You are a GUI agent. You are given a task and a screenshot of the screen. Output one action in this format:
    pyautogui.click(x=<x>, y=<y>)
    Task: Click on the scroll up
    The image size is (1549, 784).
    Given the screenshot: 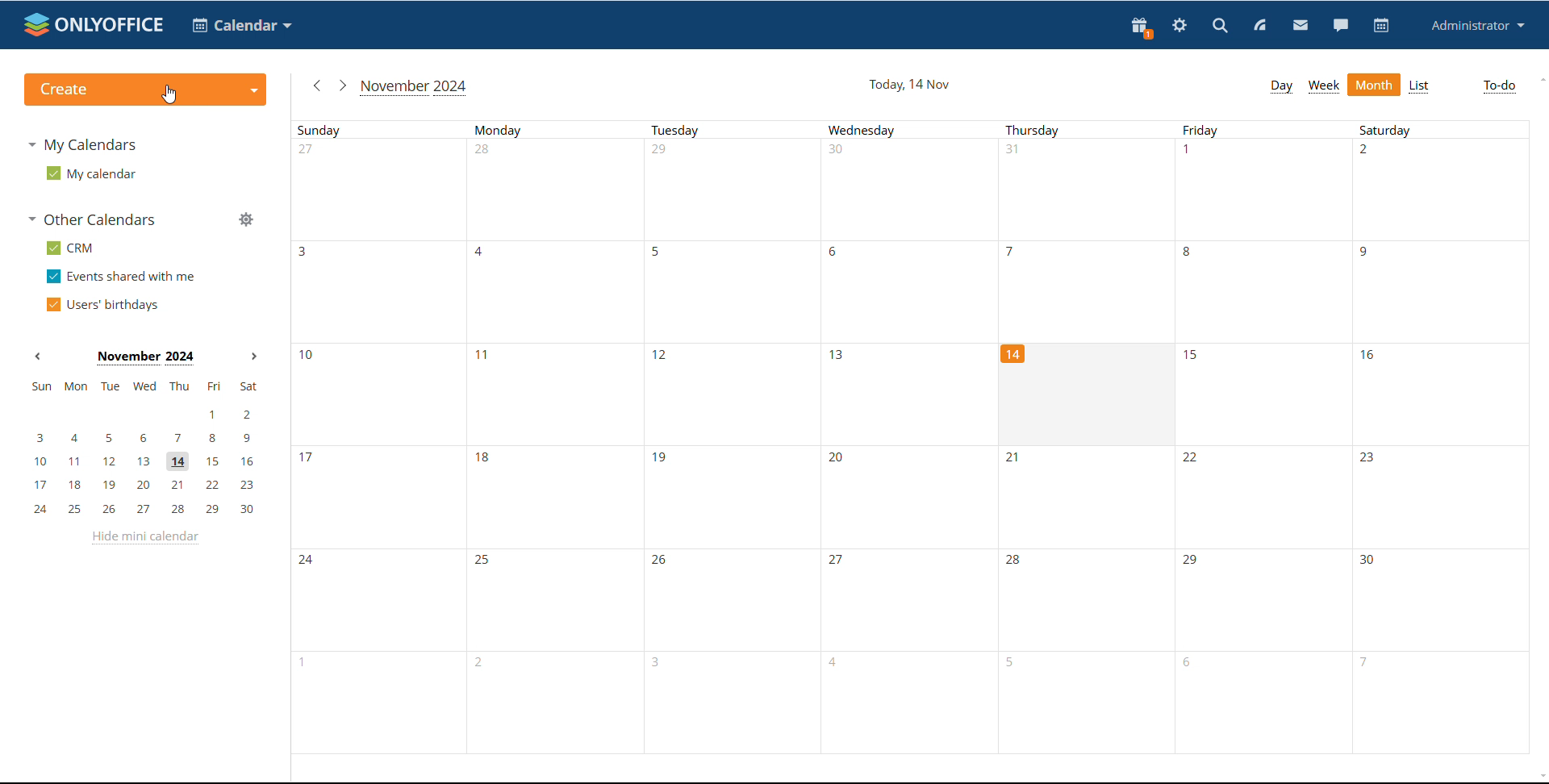 What is the action you would take?
    pyautogui.click(x=1539, y=80)
    